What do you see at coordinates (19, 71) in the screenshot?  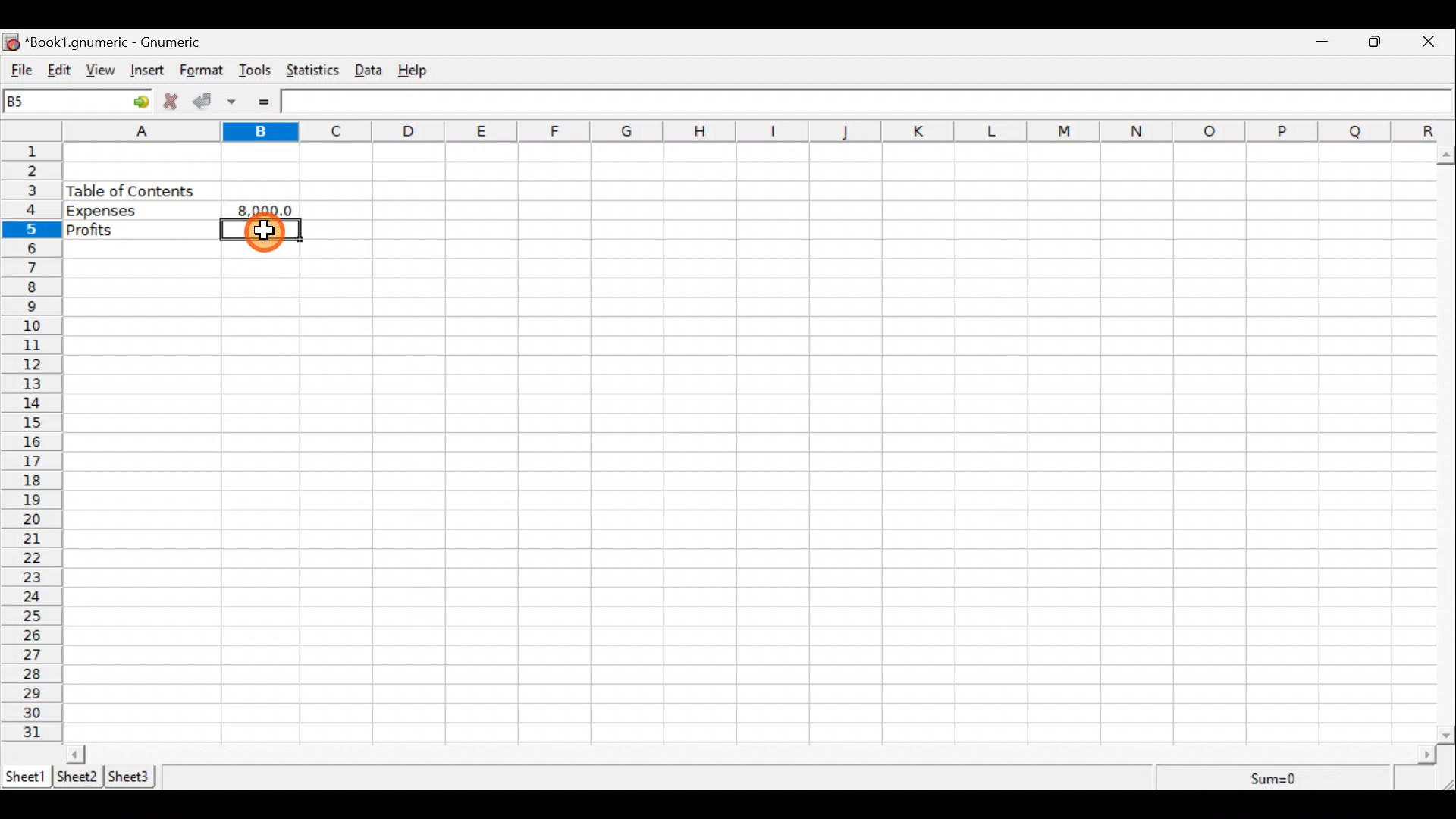 I see `File` at bounding box center [19, 71].